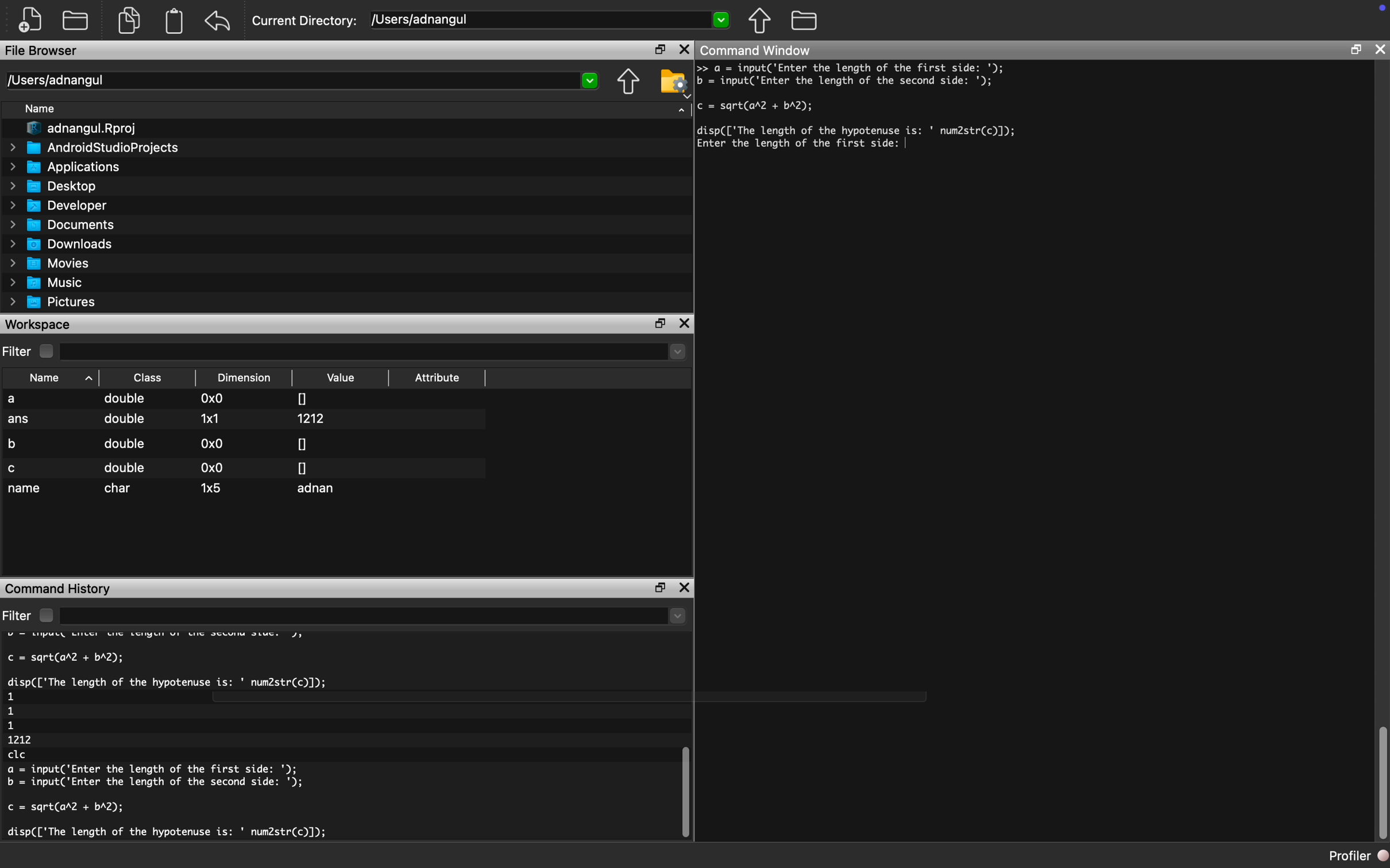  What do you see at coordinates (674, 82) in the screenshot?
I see `folder settings` at bounding box center [674, 82].